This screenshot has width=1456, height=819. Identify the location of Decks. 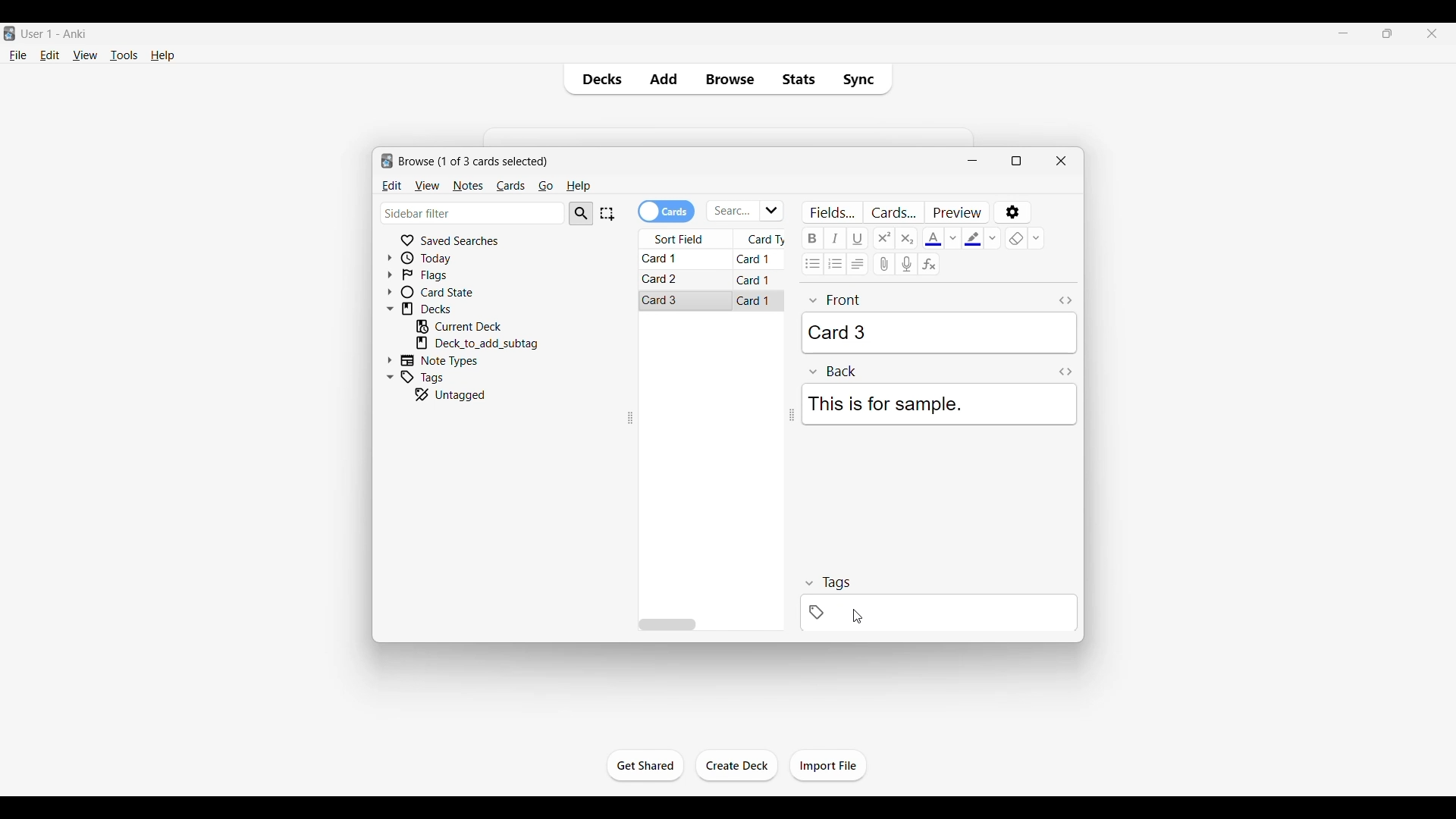
(598, 79).